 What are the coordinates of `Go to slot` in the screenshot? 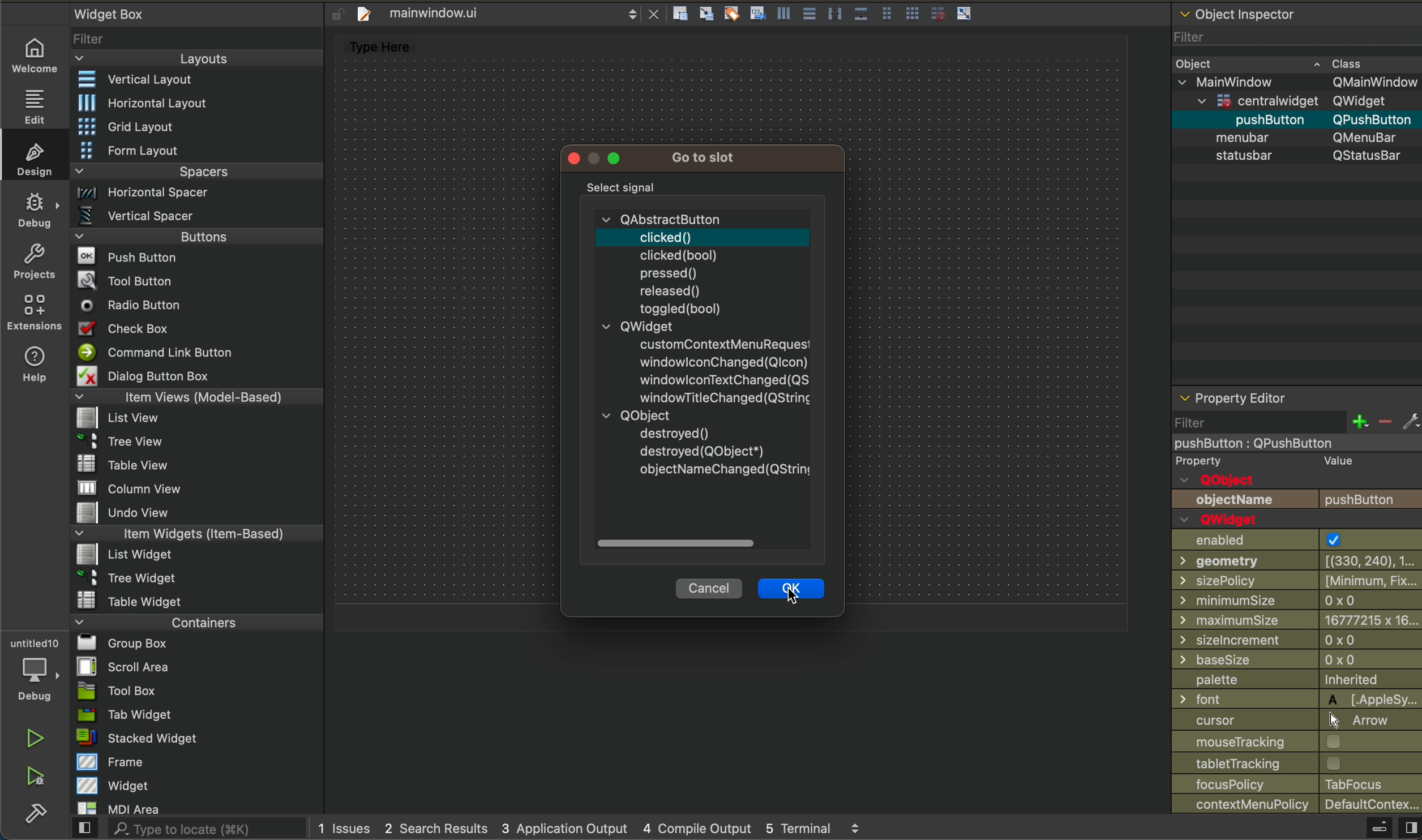 It's located at (706, 155).